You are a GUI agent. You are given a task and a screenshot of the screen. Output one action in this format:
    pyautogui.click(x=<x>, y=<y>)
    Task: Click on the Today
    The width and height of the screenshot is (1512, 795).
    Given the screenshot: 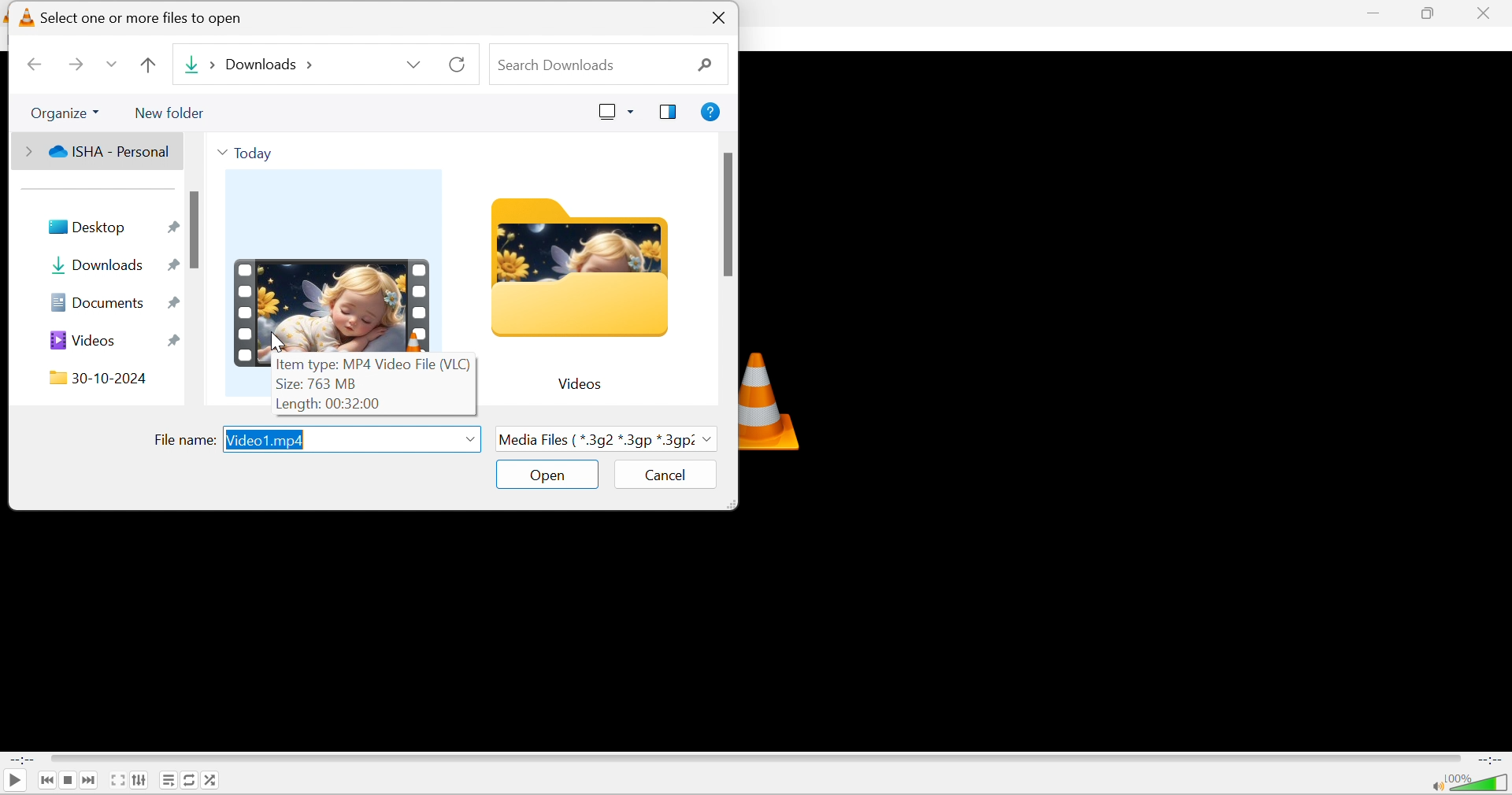 What is the action you would take?
    pyautogui.click(x=249, y=152)
    